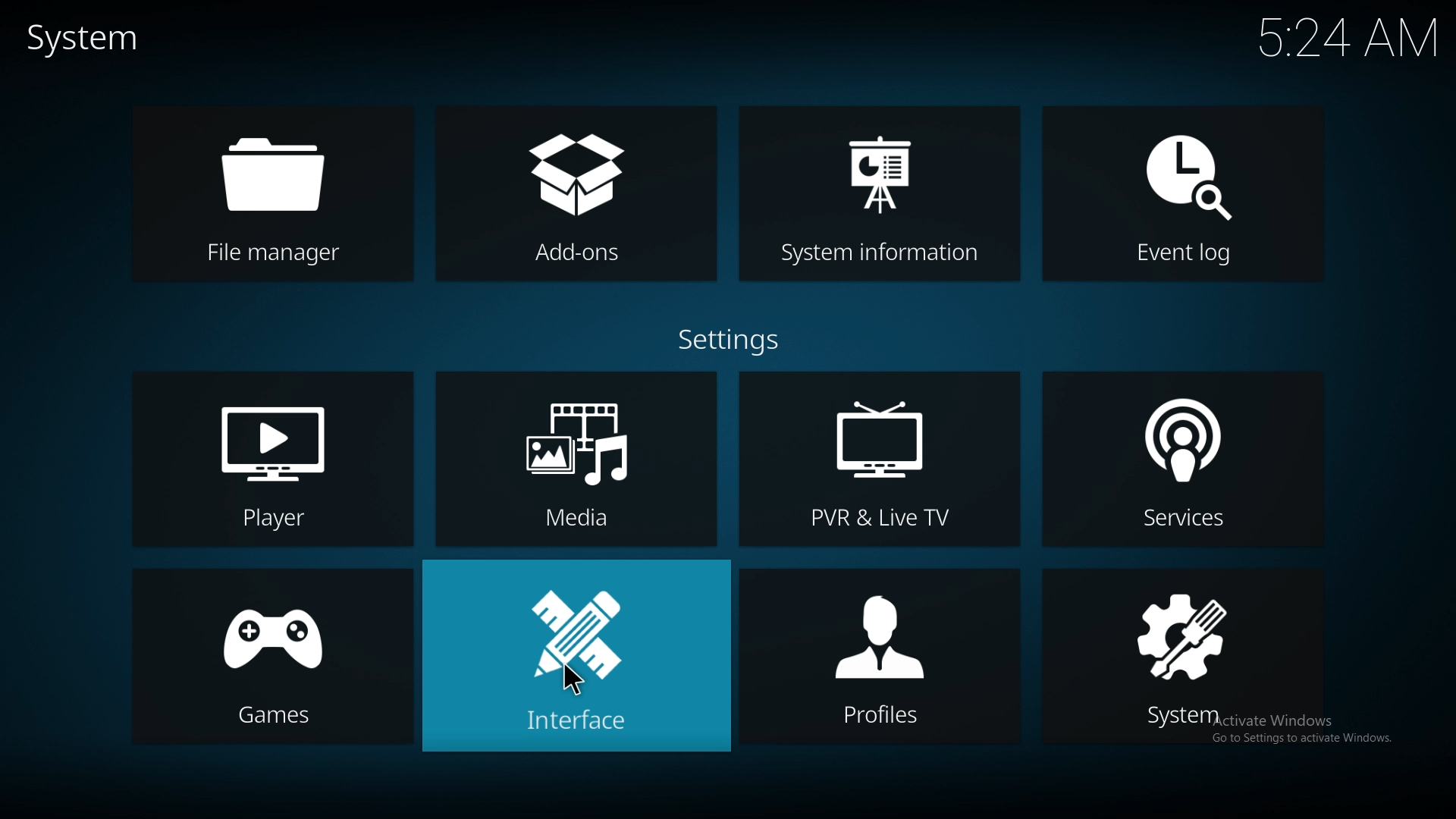  What do you see at coordinates (570, 679) in the screenshot?
I see `cursor` at bounding box center [570, 679].